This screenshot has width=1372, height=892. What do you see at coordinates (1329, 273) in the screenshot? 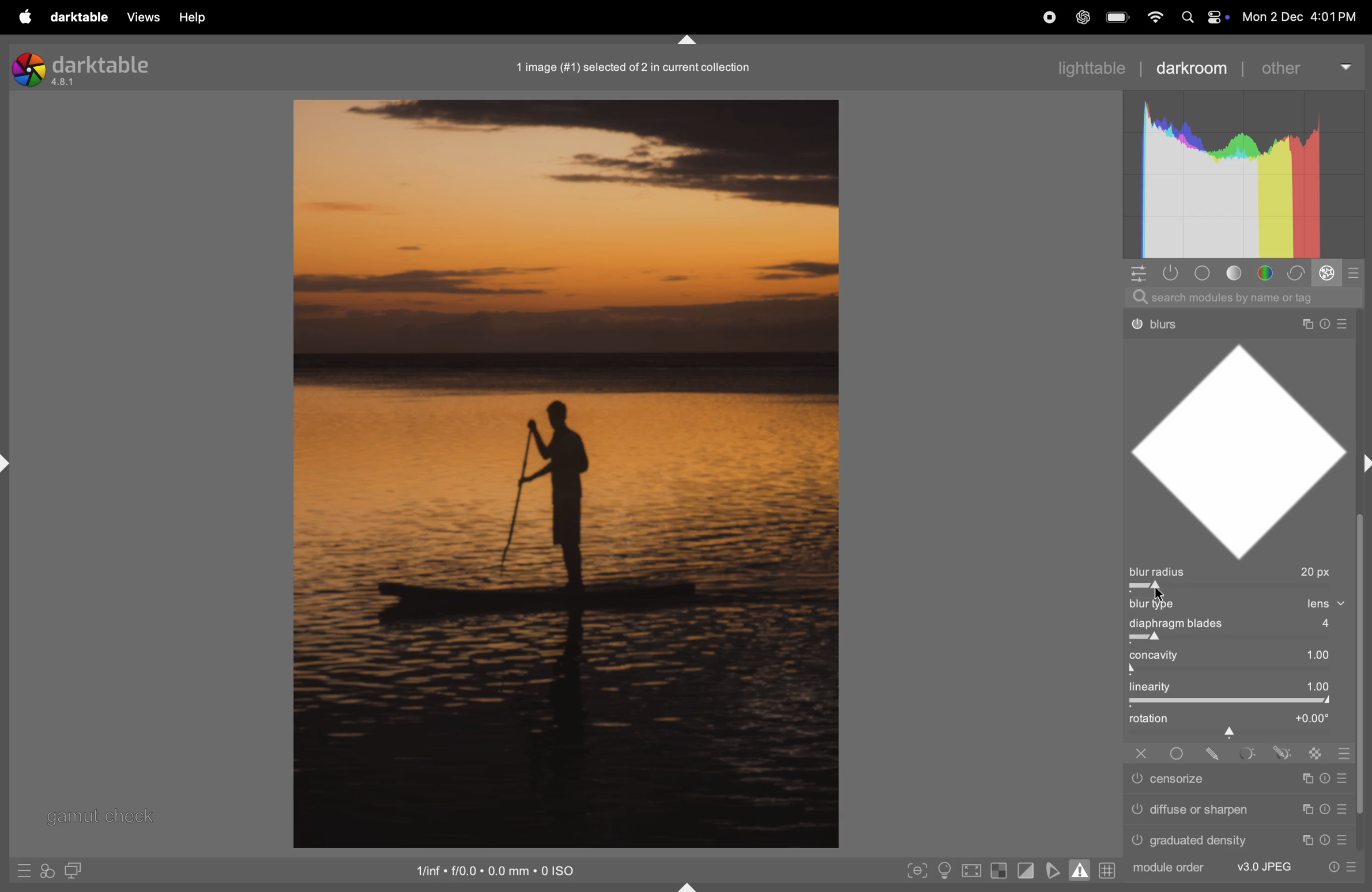
I see `effect` at bounding box center [1329, 273].